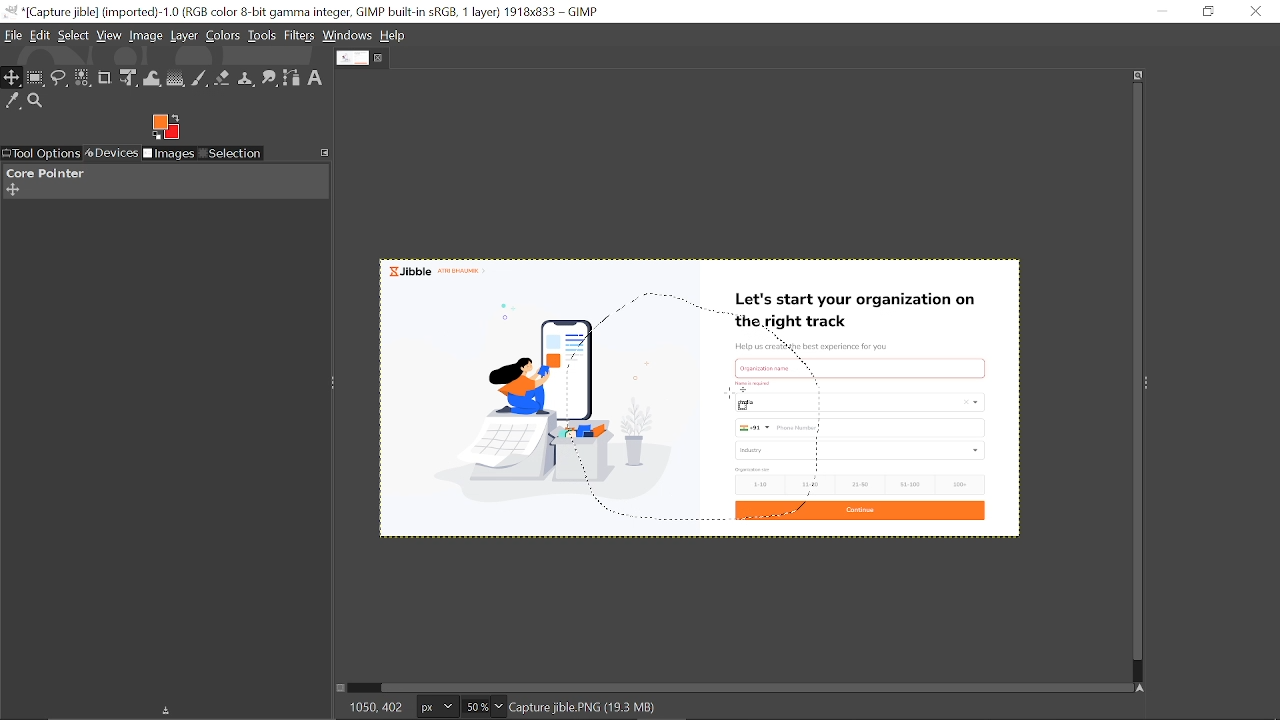 Image resolution: width=1280 pixels, height=720 pixels. Describe the element at coordinates (223, 37) in the screenshot. I see `Colors` at that location.